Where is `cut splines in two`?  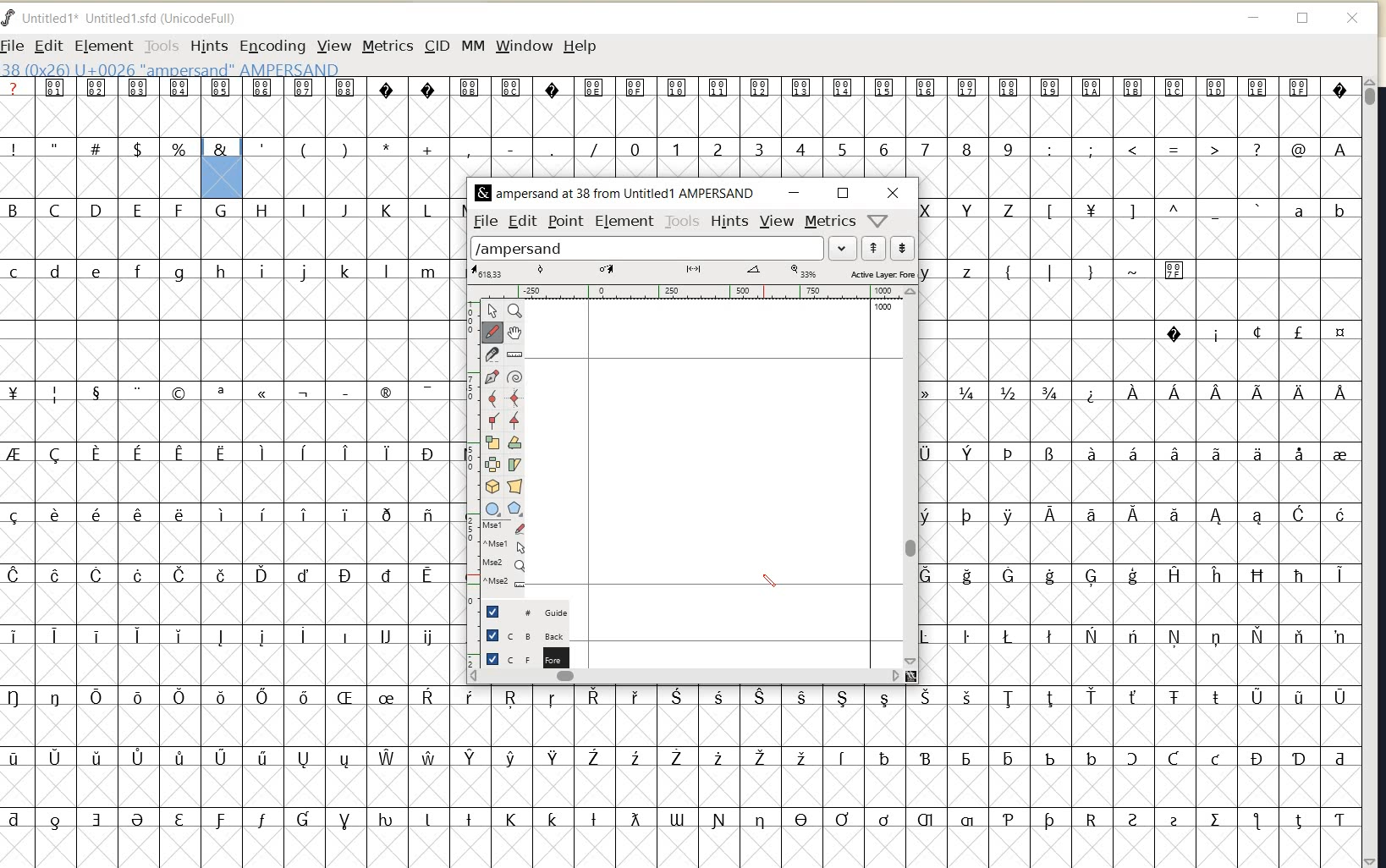
cut splines in two is located at coordinates (491, 354).